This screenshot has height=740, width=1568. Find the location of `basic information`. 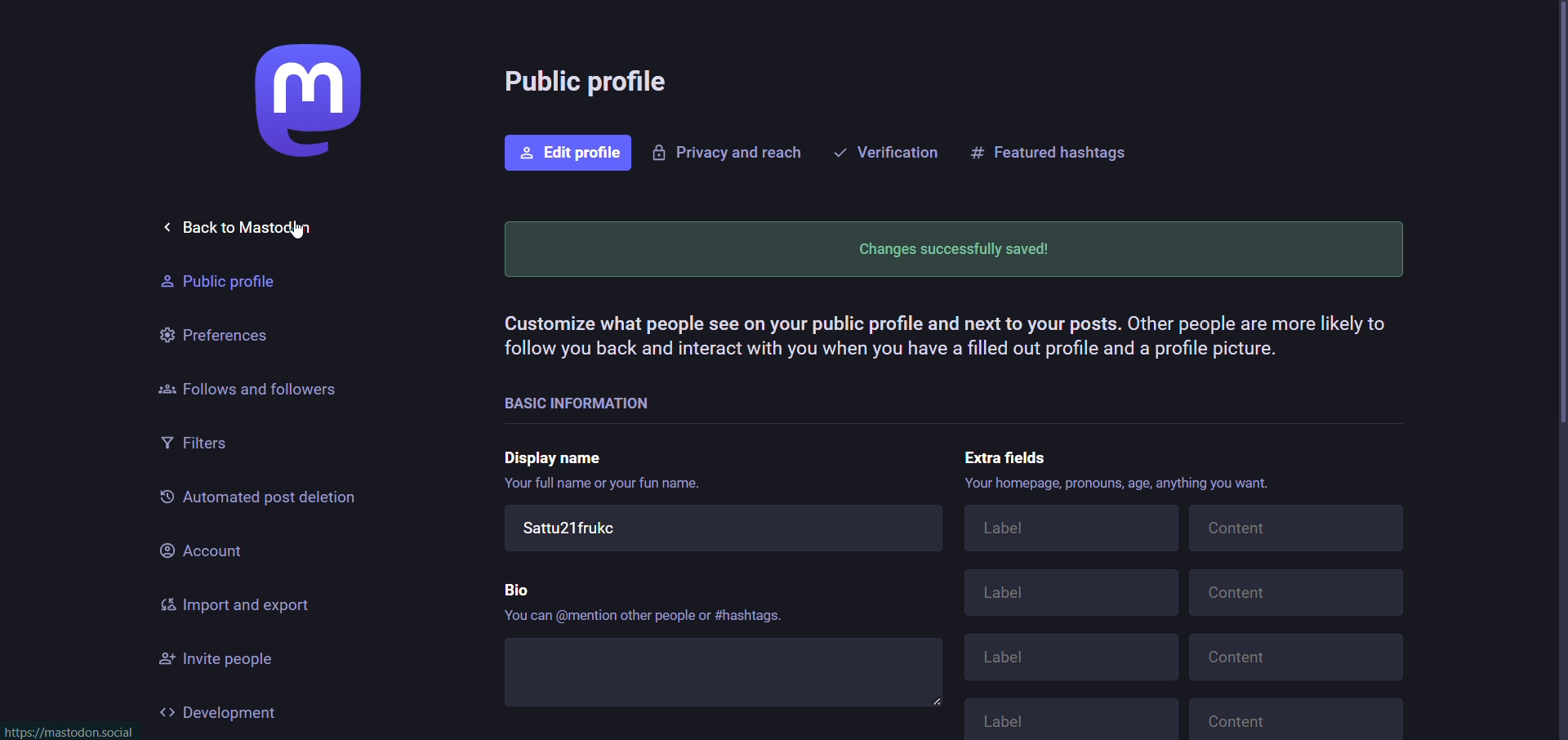

basic information is located at coordinates (577, 401).